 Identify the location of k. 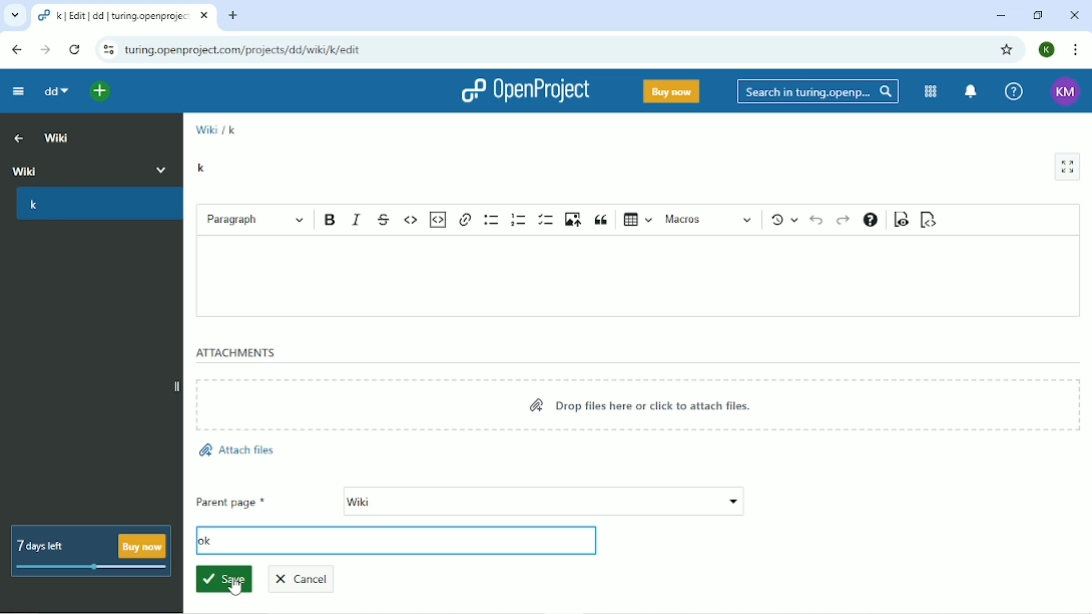
(233, 129).